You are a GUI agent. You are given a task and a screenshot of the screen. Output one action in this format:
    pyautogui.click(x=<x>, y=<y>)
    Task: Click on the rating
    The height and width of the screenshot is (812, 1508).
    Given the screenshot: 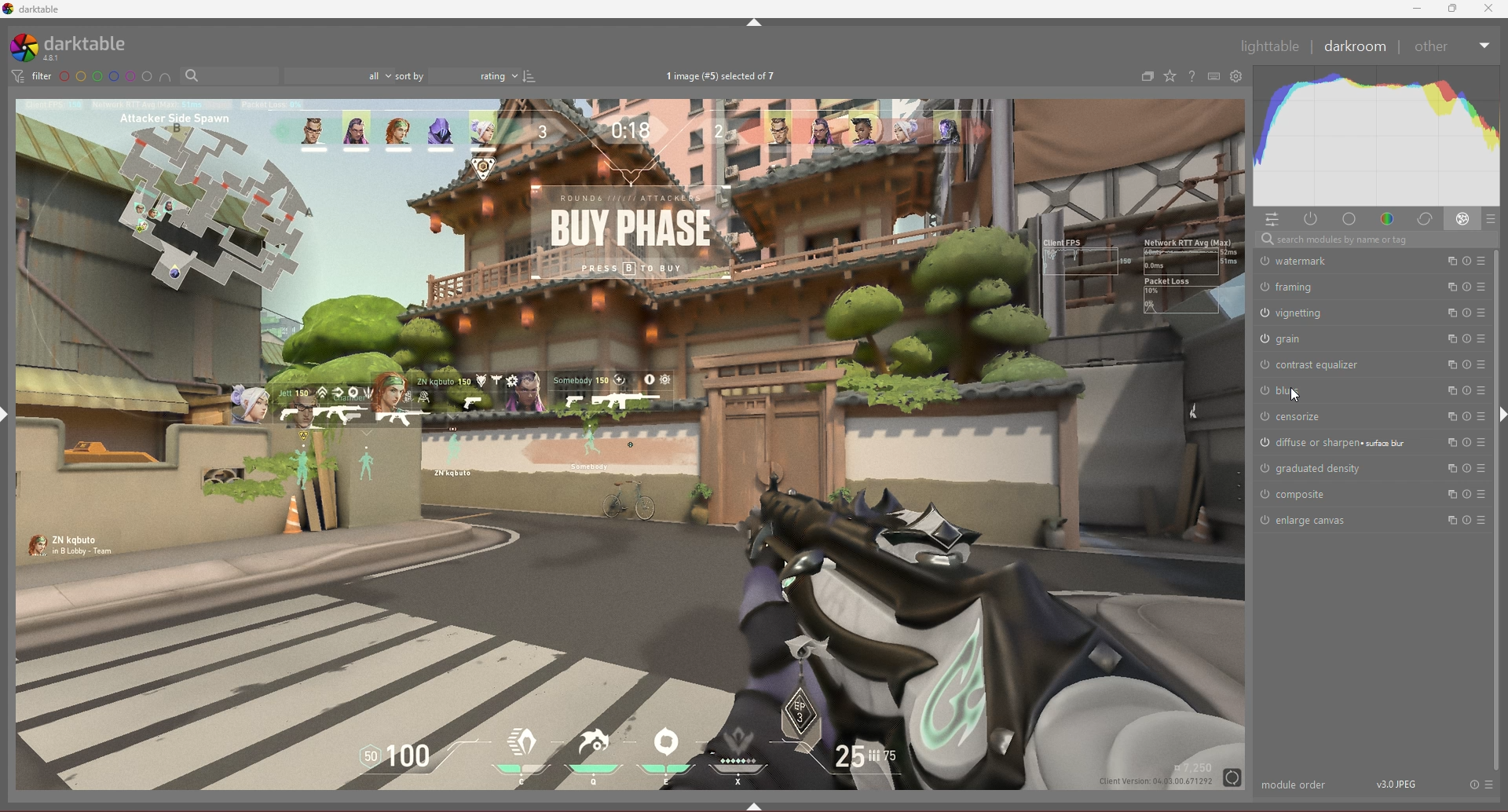 What is the action you would take?
    pyautogui.click(x=474, y=75)
    